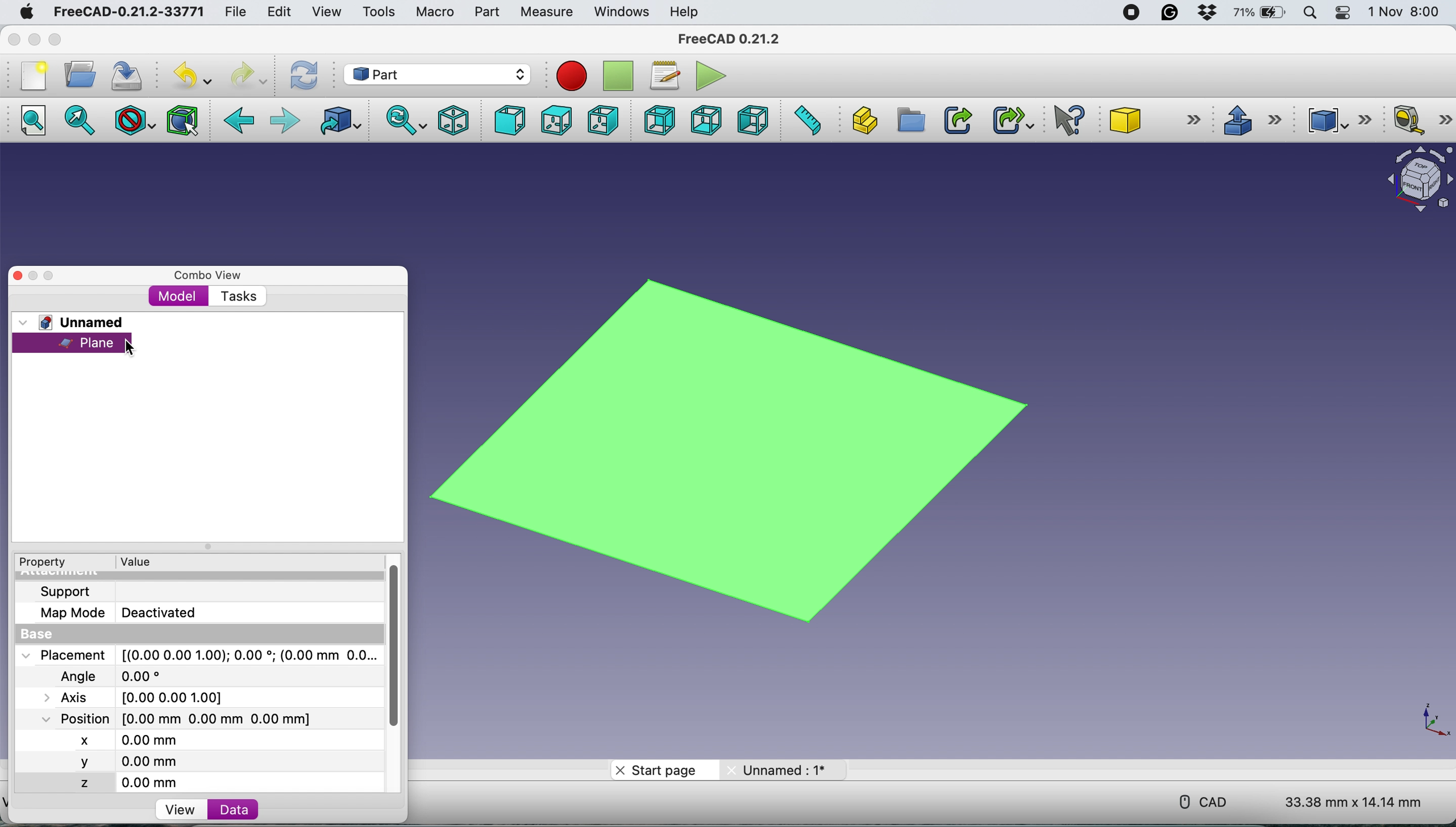 This screenshot has width=1456, height=827. I want to click on cad, so click(1212, 801).